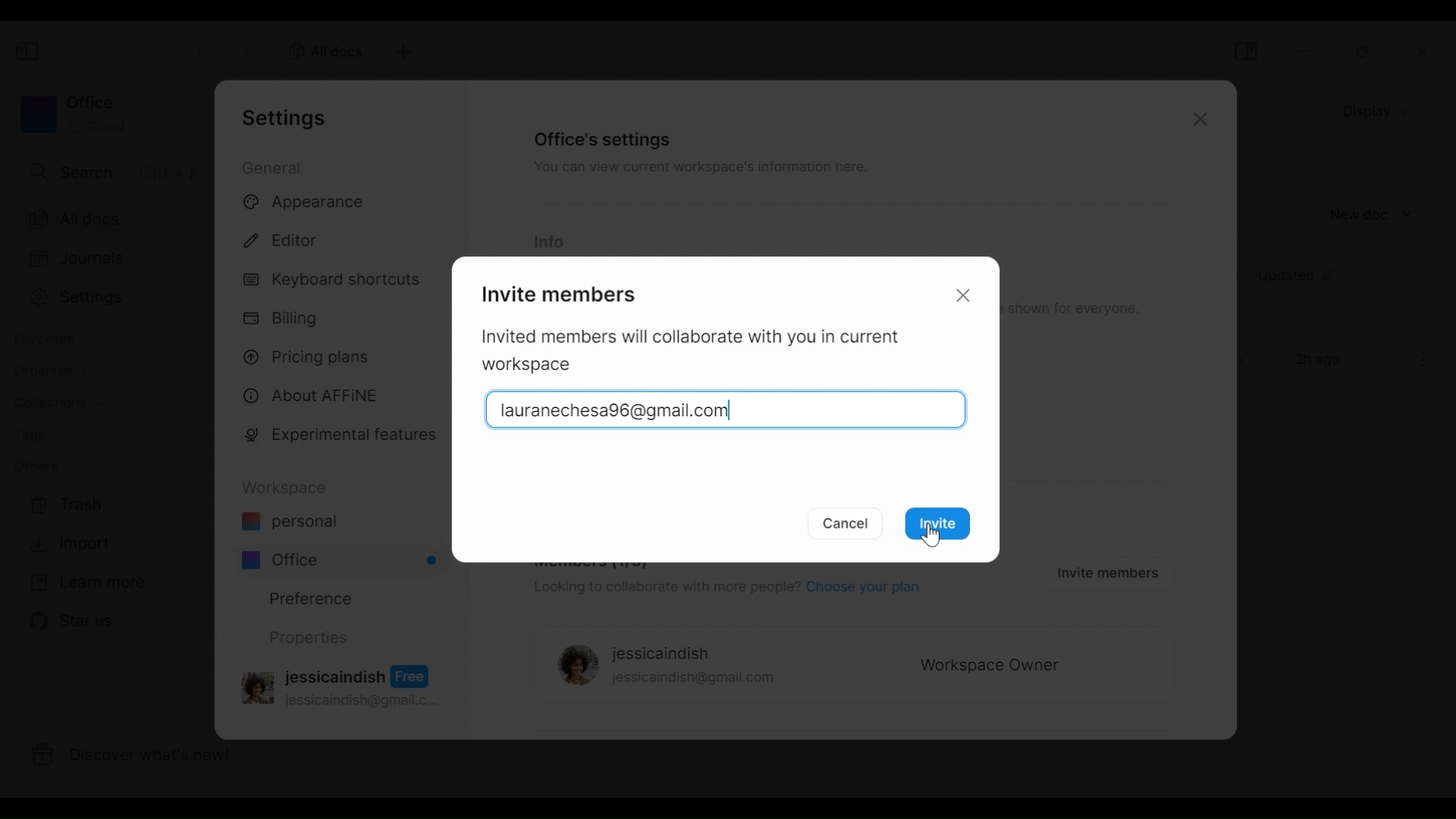 This screenshot has height=819, width=1456. I want to click on Invite members, so click(556, 292).